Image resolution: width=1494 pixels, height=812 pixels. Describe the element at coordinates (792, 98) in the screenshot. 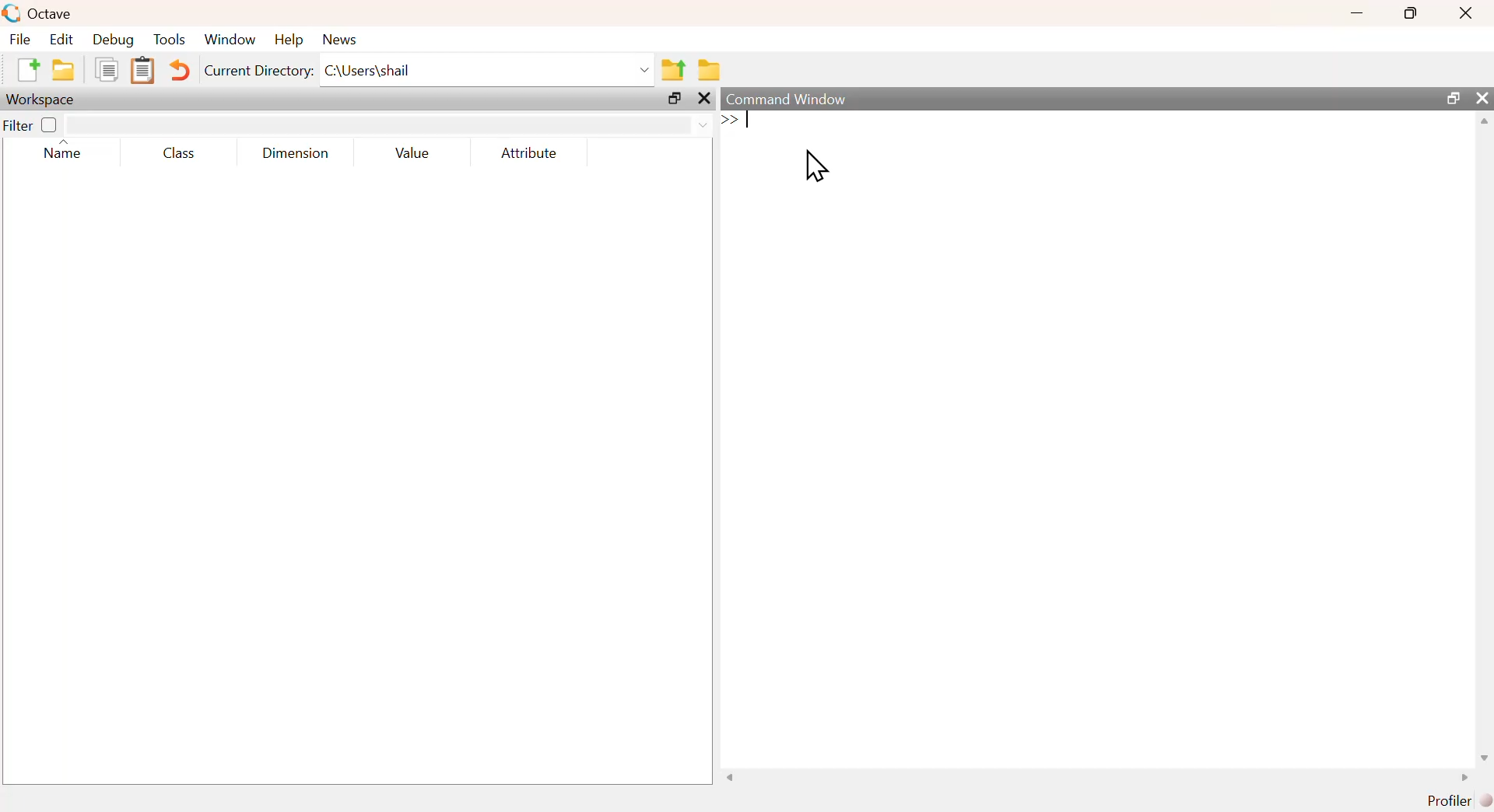

I see `command window` at that location.